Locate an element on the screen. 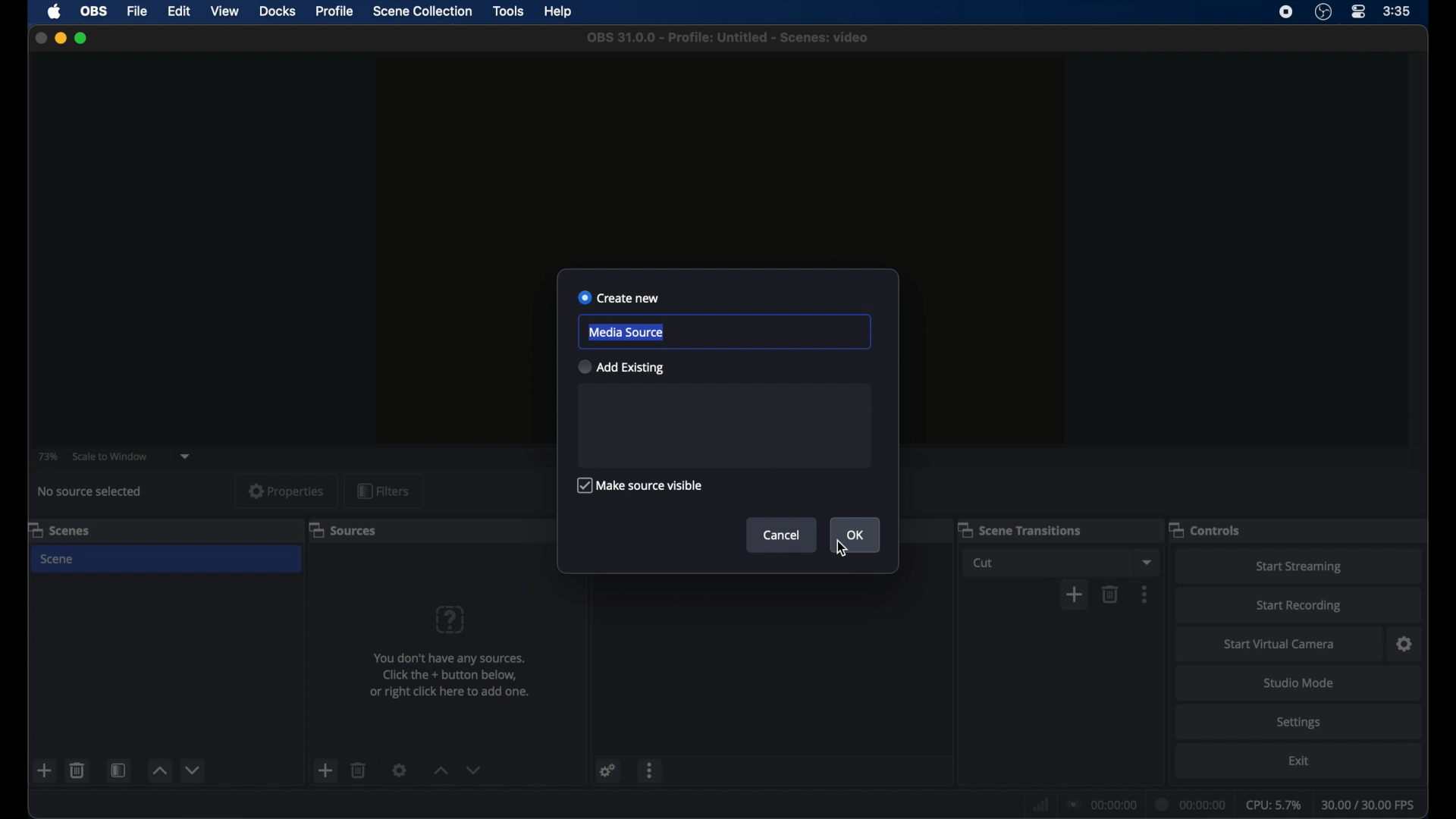 The width and height of the screenshot is (1456, 819). scene transitions is located at coordinates (1019, 529).